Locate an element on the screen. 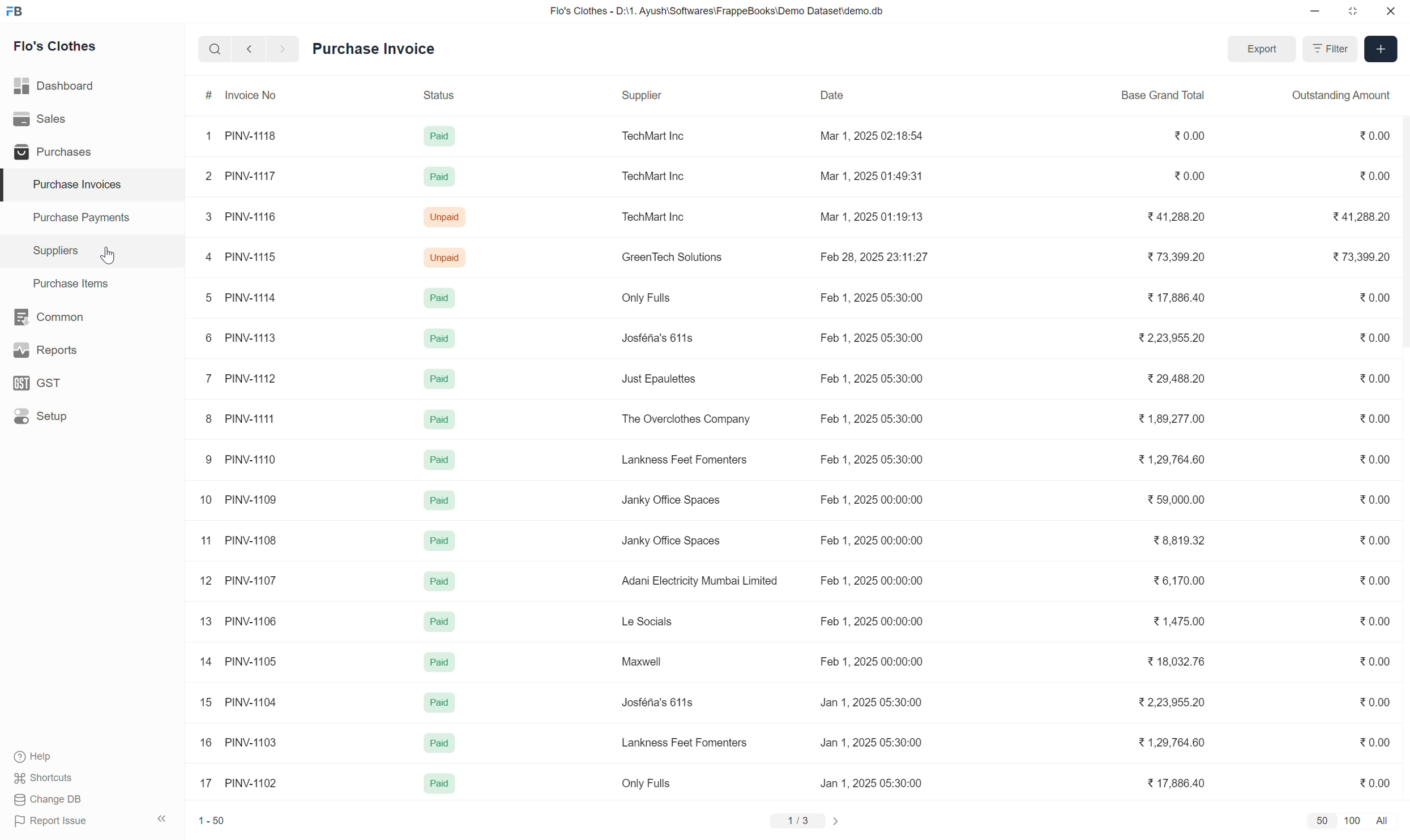 This screenshot has height=840, width=1410. 13 PINV-1106 is located at coordinates (236, 618).